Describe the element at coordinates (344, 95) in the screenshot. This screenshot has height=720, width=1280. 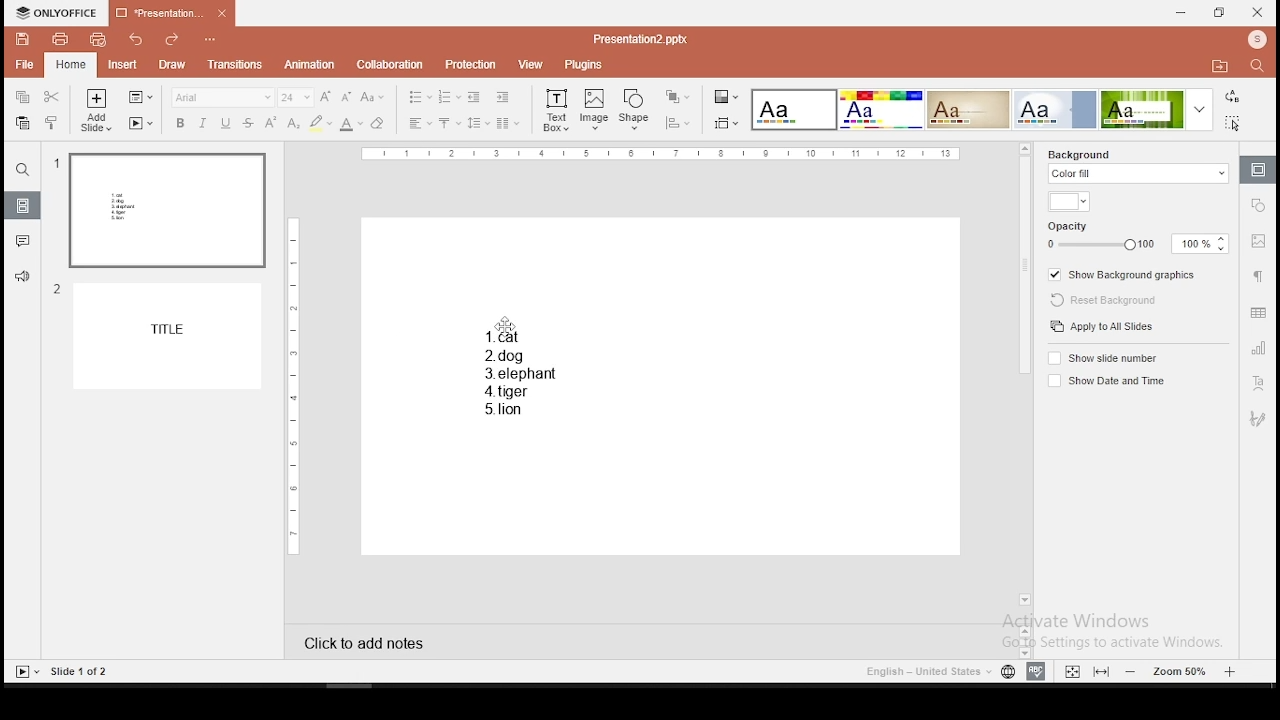
I see `decrease font size` at that location.